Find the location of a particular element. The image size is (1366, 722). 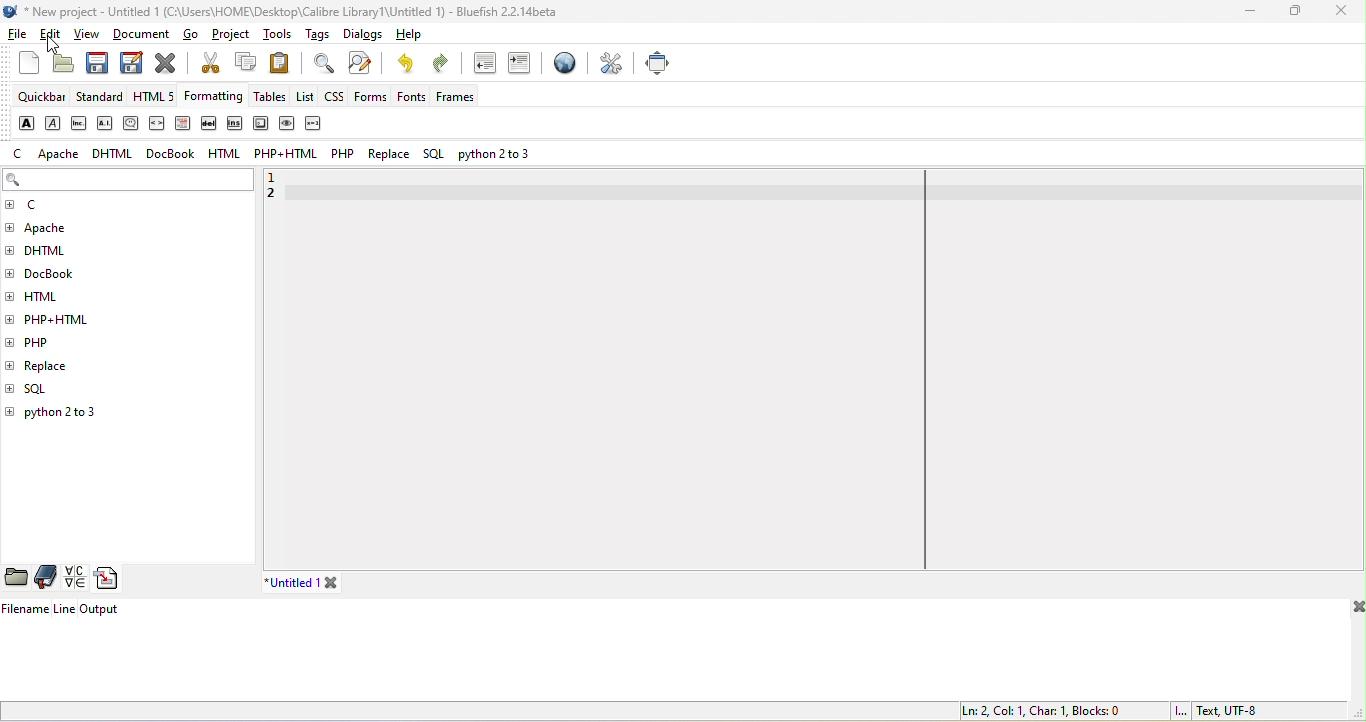

2 is located at coordinates (276, 198).